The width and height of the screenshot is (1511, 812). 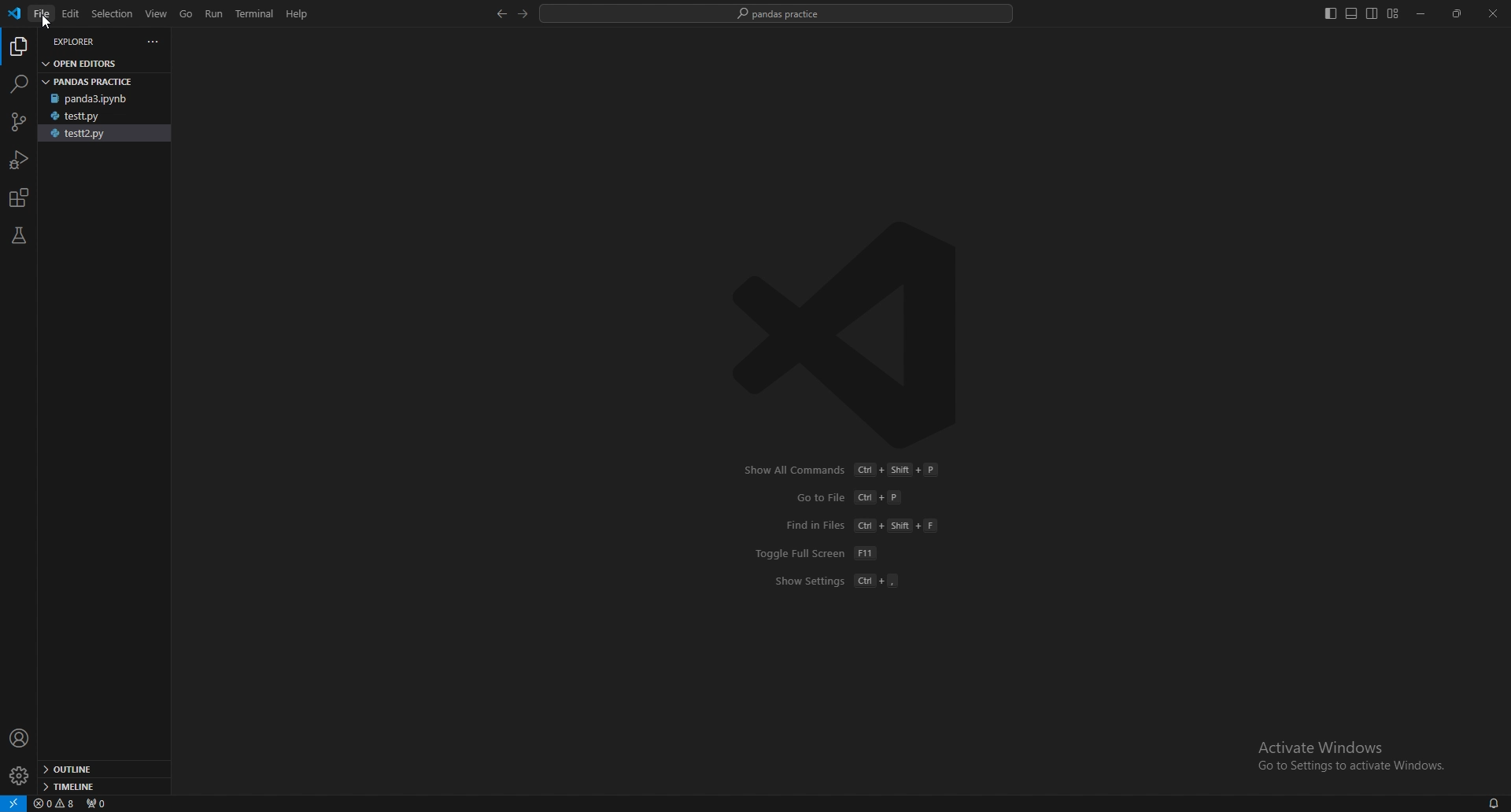 I want to click on toggle secondary side bar, so click(x=1372, y=13).